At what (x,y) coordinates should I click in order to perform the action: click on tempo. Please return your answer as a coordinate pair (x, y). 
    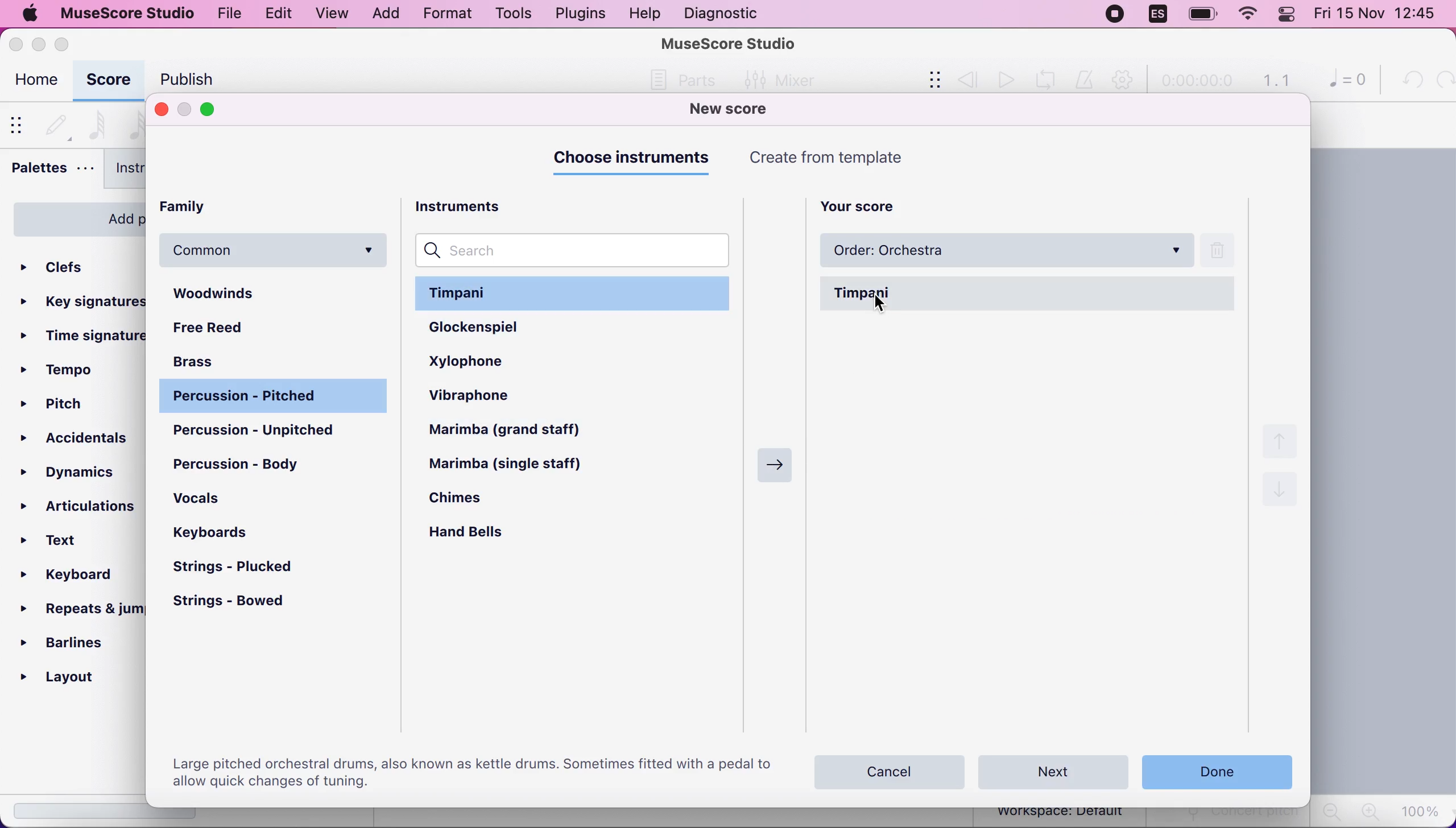
    Looking at the image, I should click on (62, 370).